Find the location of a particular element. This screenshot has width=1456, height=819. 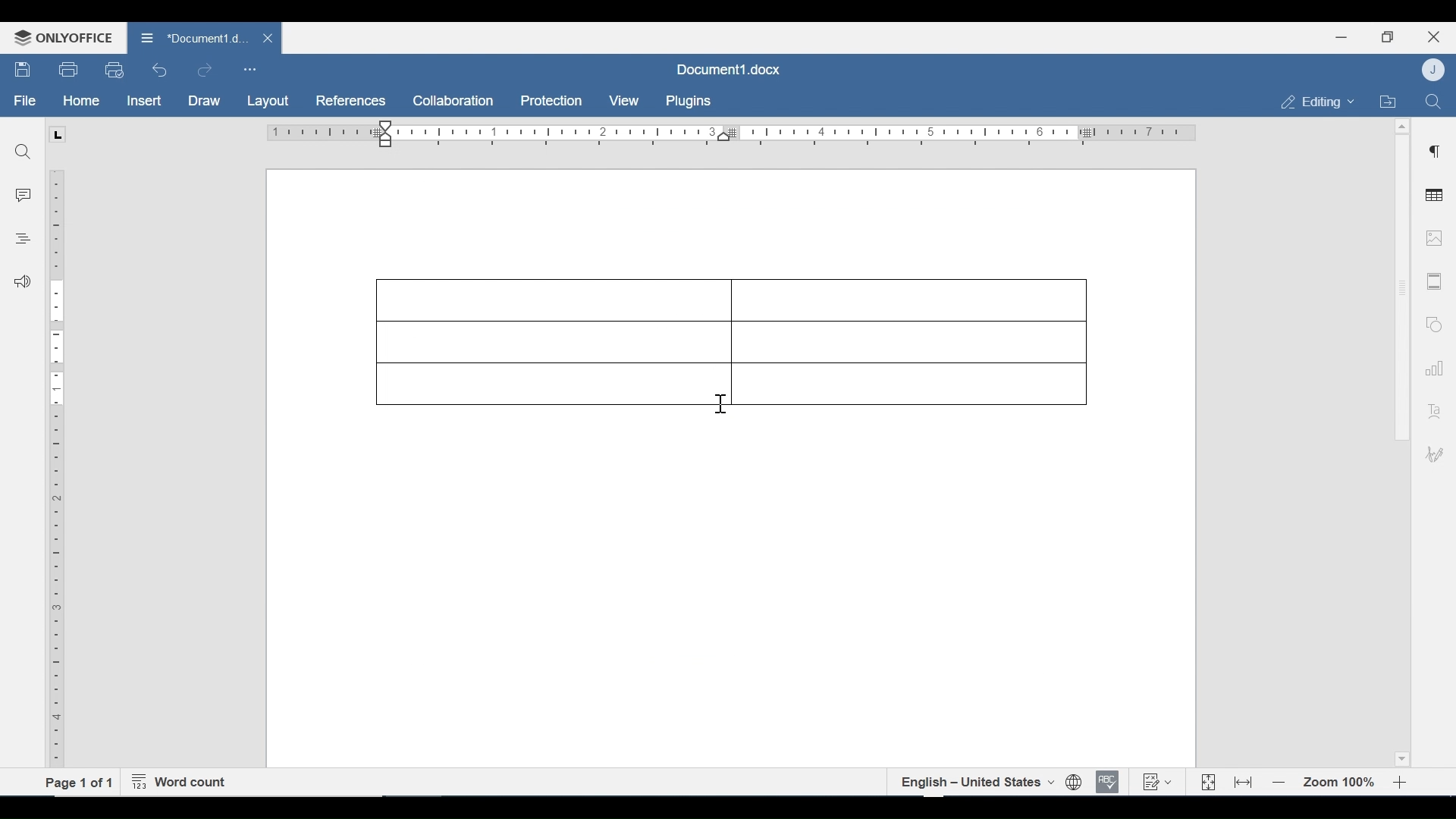

Open Filelocation is located at coordinates (1387, 100).